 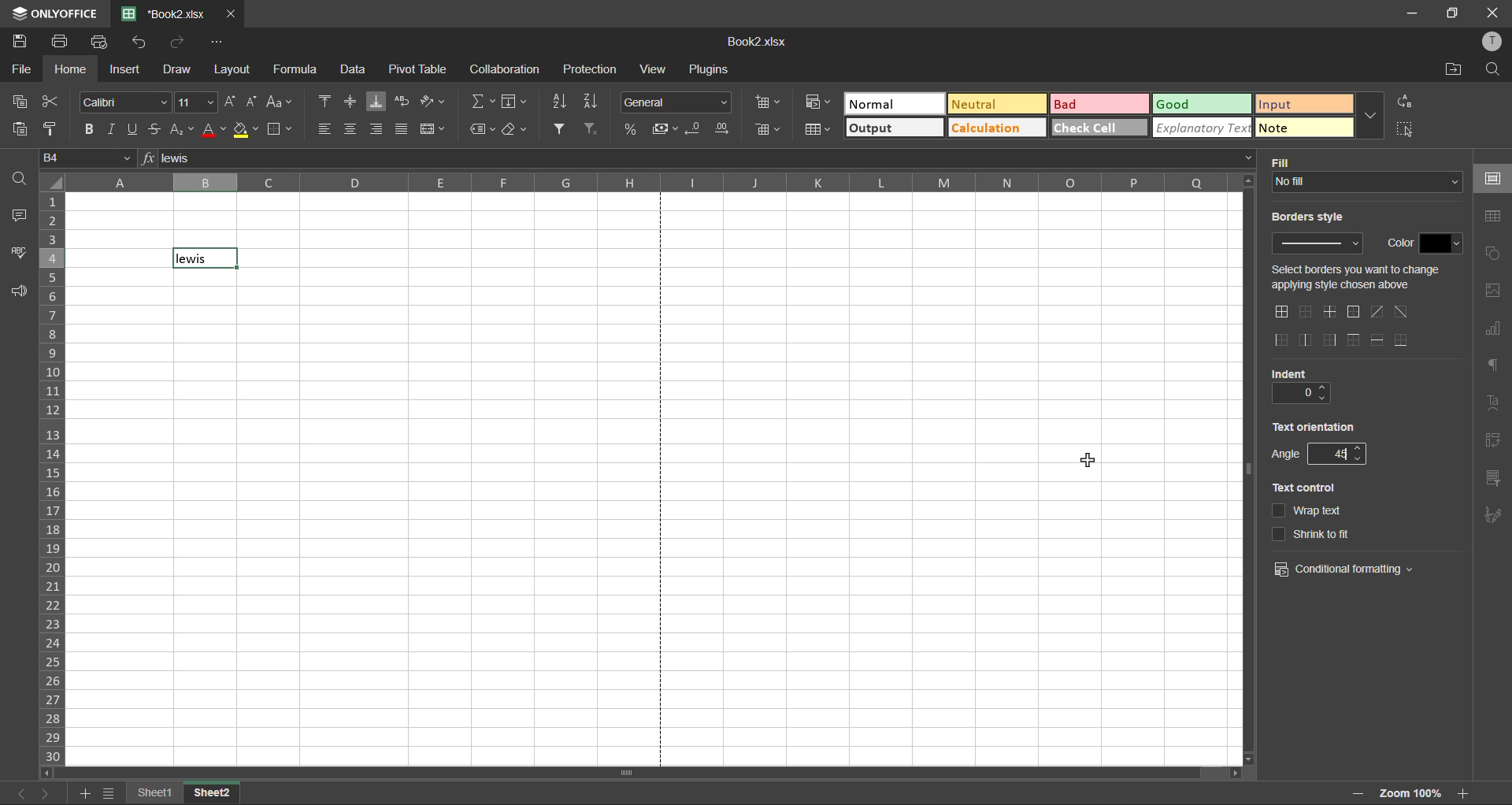 What do you see at coordinates (1492, 180) in the screenshot?
I see `cell settings` at bounding box center [1492, 180].